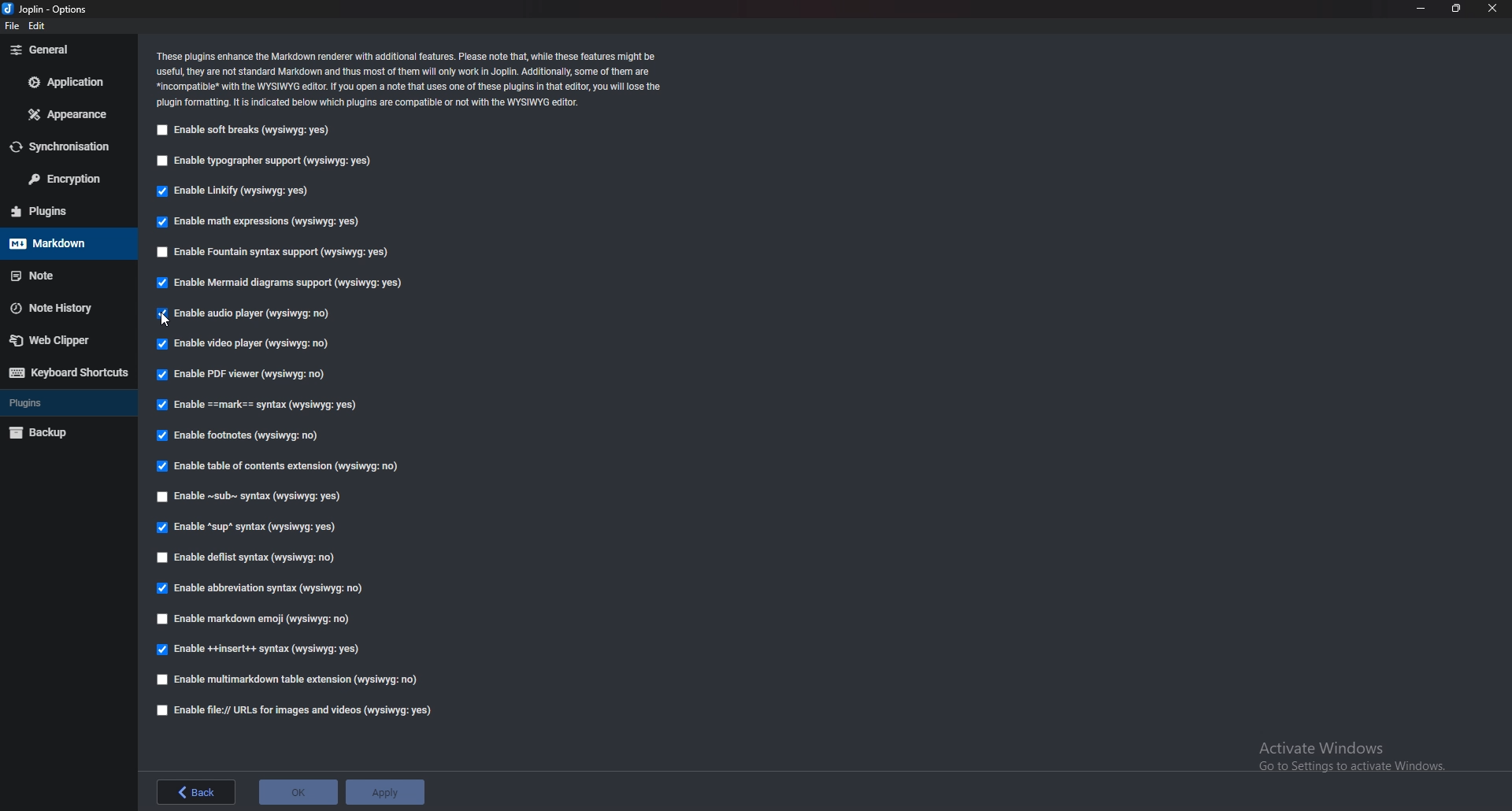 The width and height of the screenshot is (1512, 811). What do you see at coordinates (280, 281) in the screenshot?
I see `enable mermaid diagram support` at bounding box center [280, 281].